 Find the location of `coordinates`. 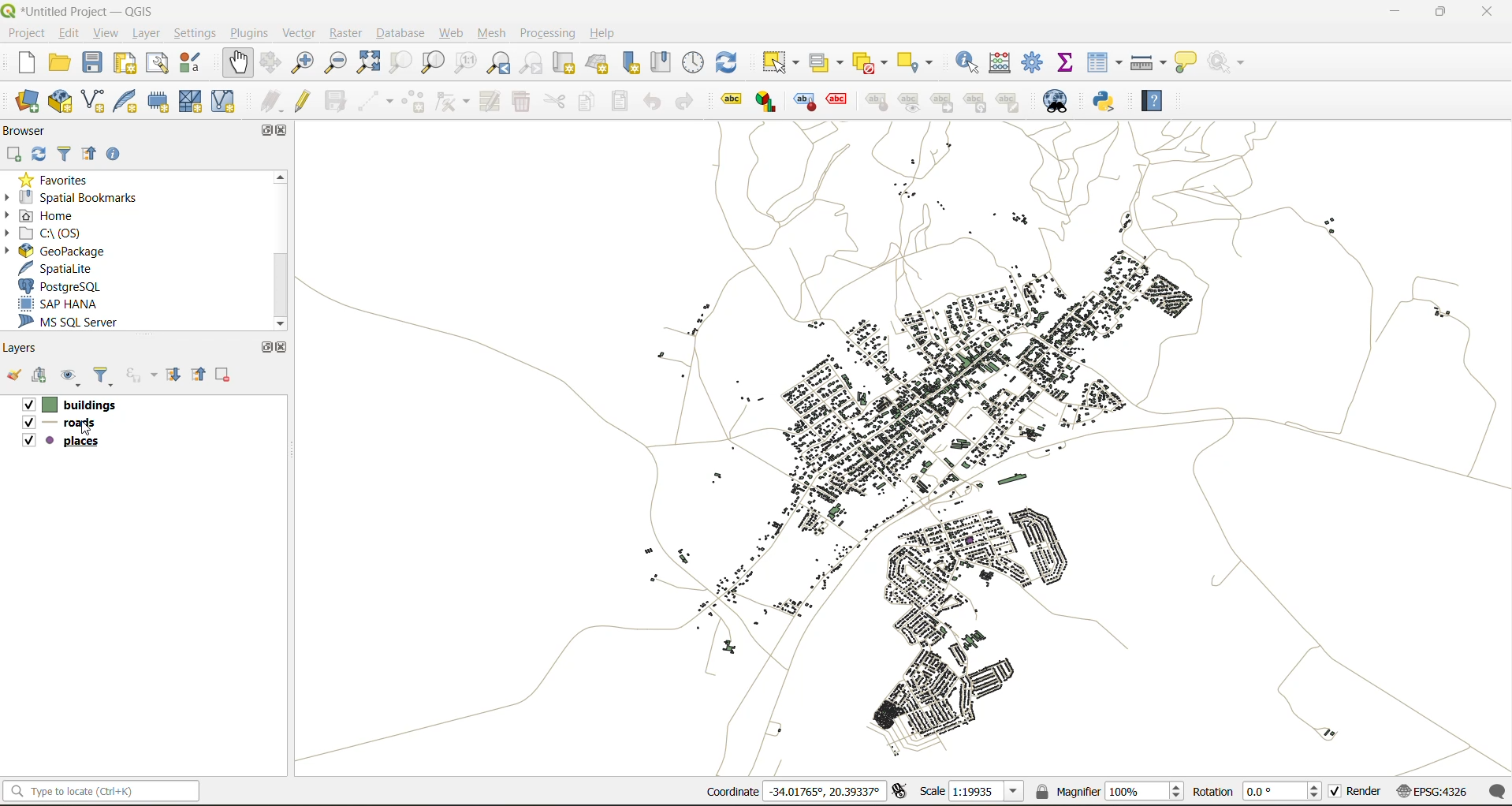

coordinates is located at coordinates (792, 791).